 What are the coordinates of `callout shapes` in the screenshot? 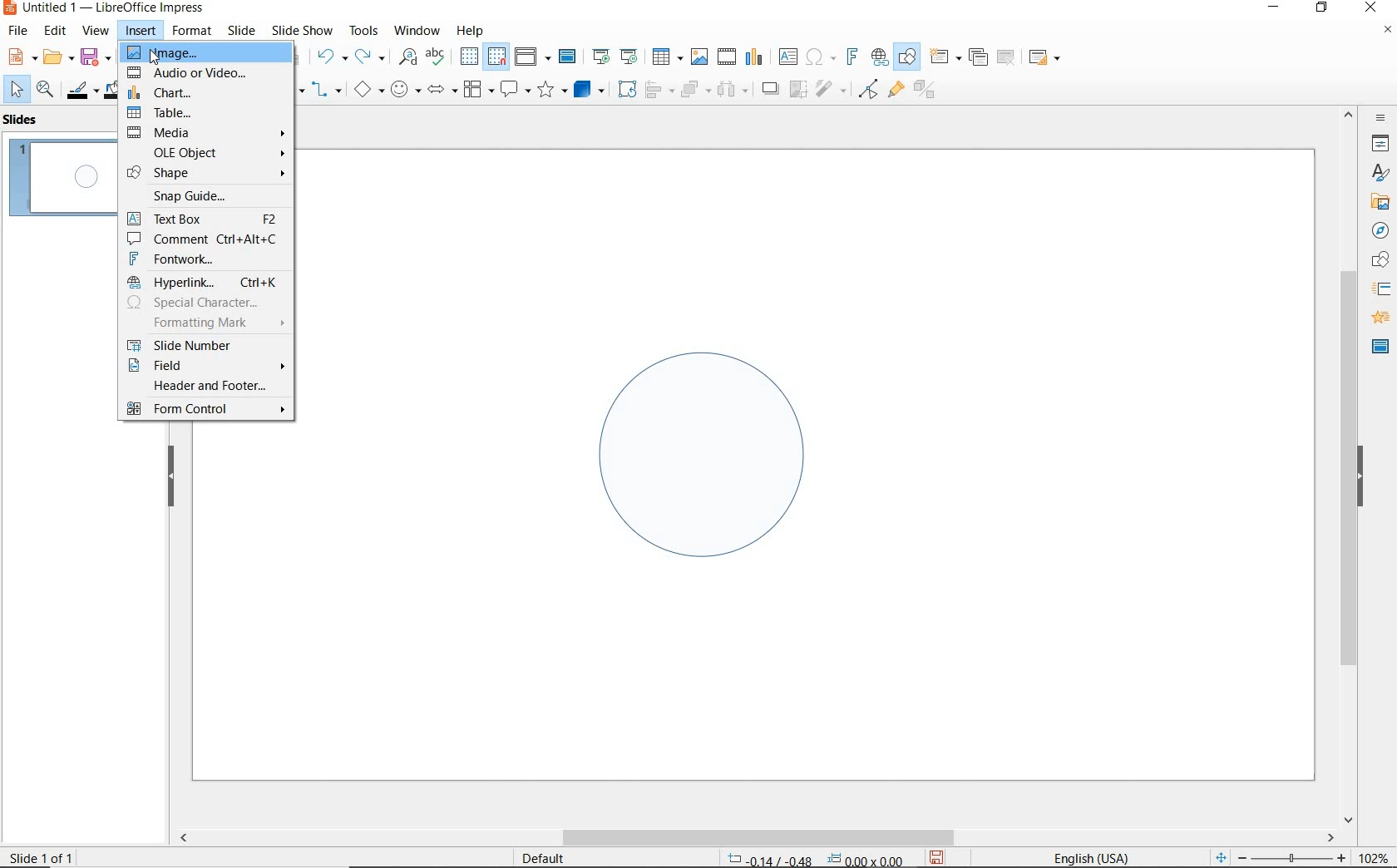 It's located at (512, 91).